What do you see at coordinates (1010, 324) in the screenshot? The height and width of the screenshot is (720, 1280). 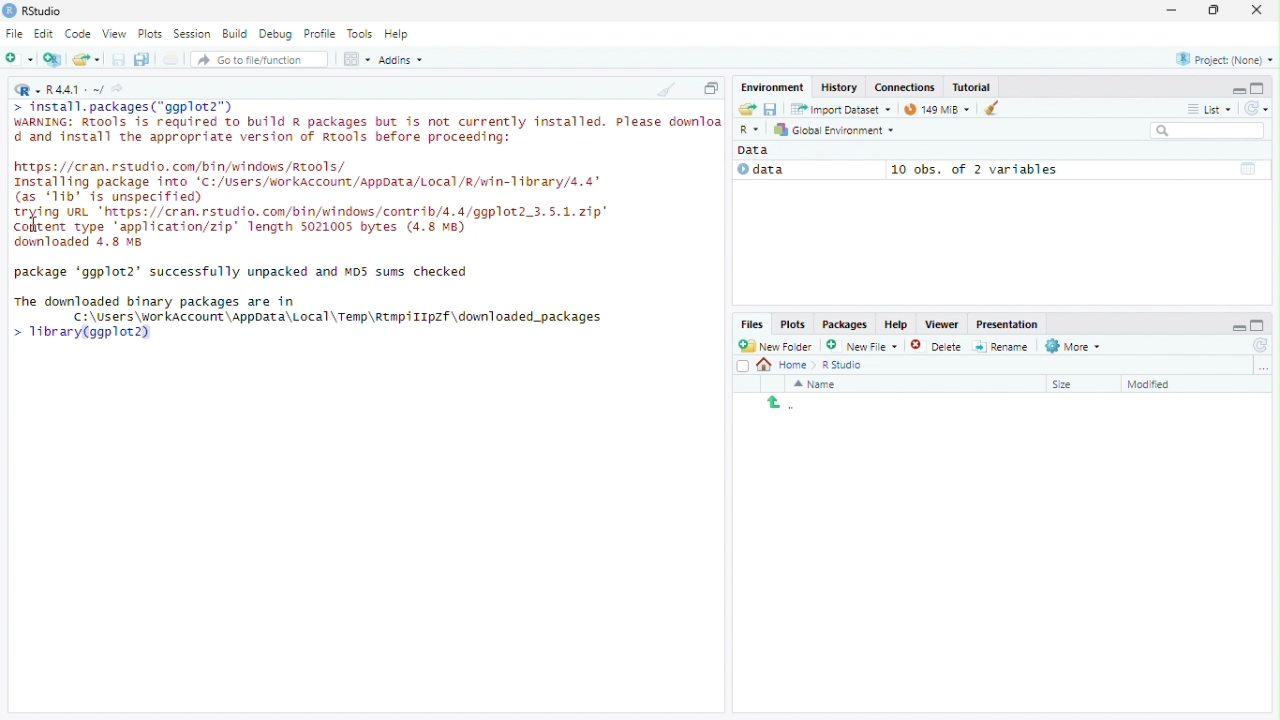 I see `presentation` at bounding box center [1010, 324].